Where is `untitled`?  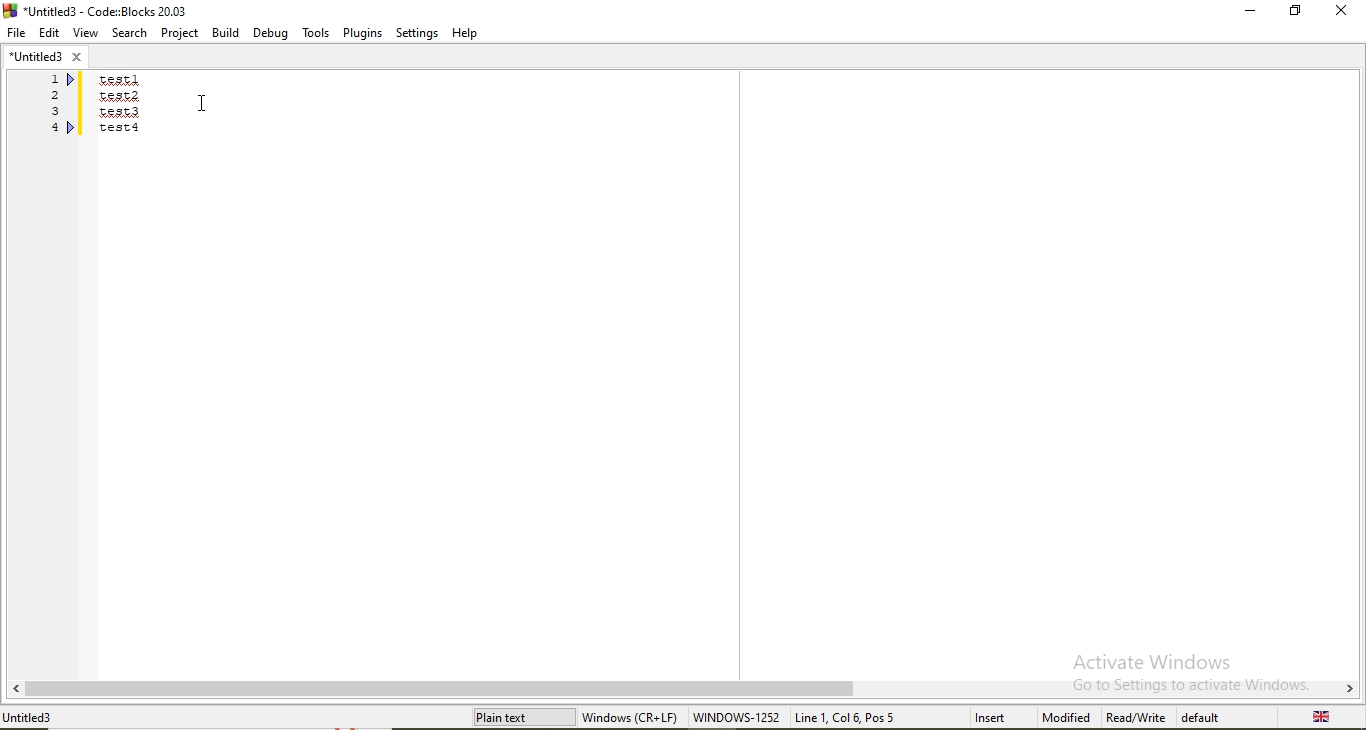
untitled is located at coordinates (45, 55).